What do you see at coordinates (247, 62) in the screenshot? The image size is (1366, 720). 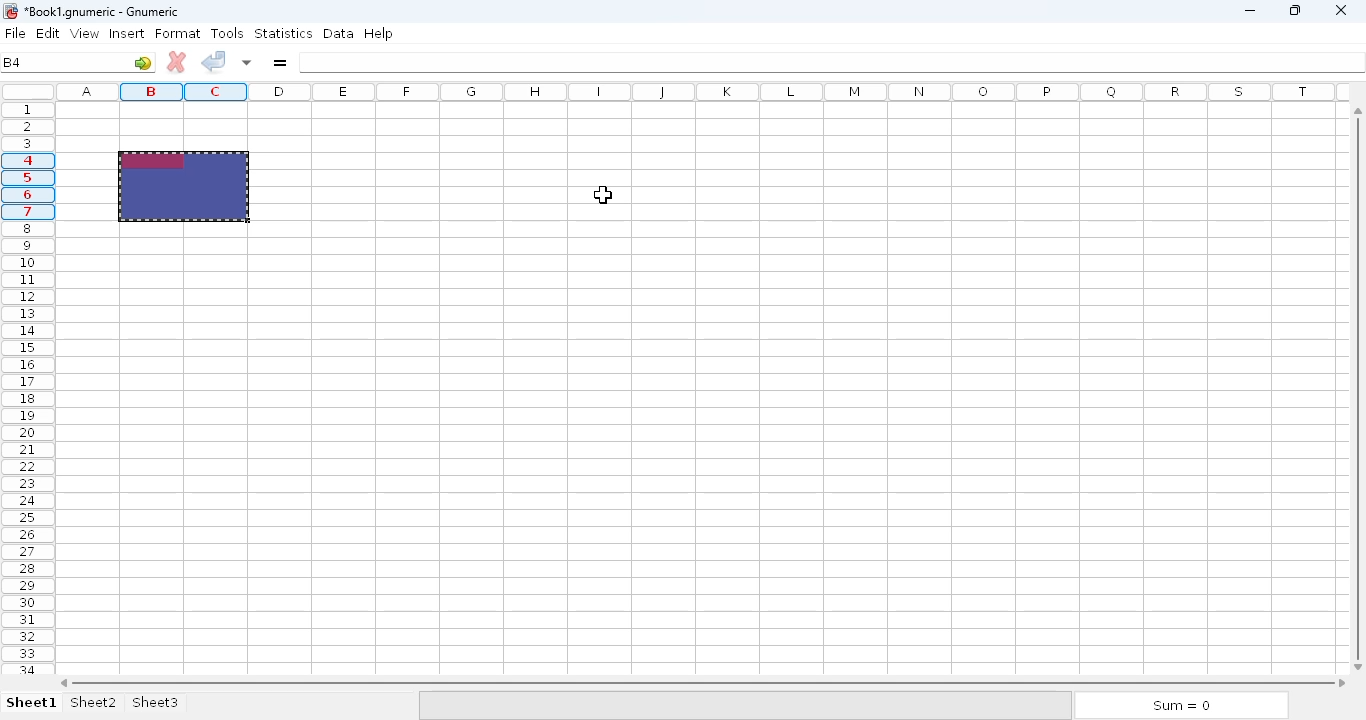 I see `accept changes in multiple cells` at bounding box center [247, 62].